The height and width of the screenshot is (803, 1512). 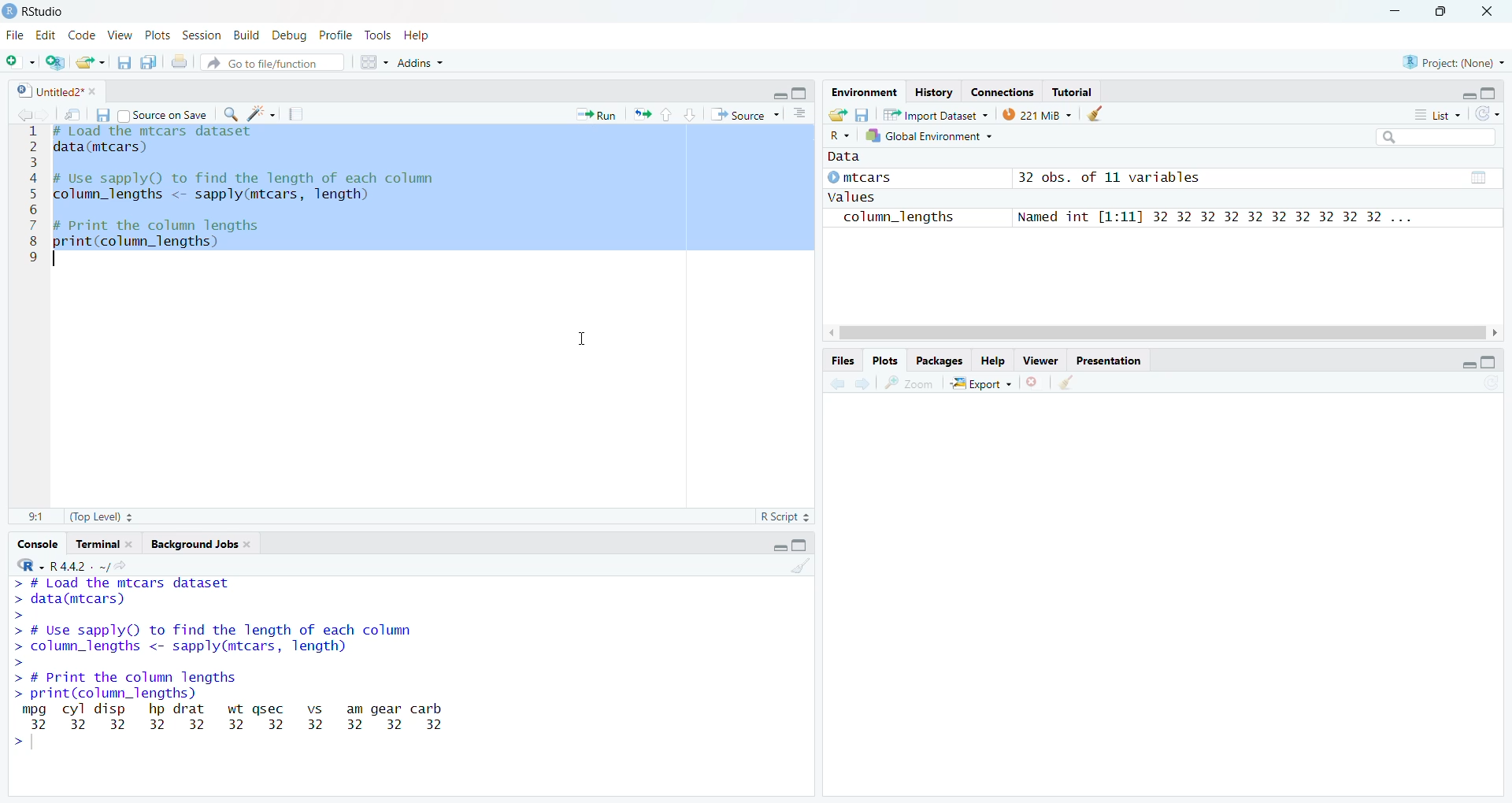 What do you see at coordinates (261, 113) in the screenshot?
I see `Code Tools` at bounding box center [261, 113].